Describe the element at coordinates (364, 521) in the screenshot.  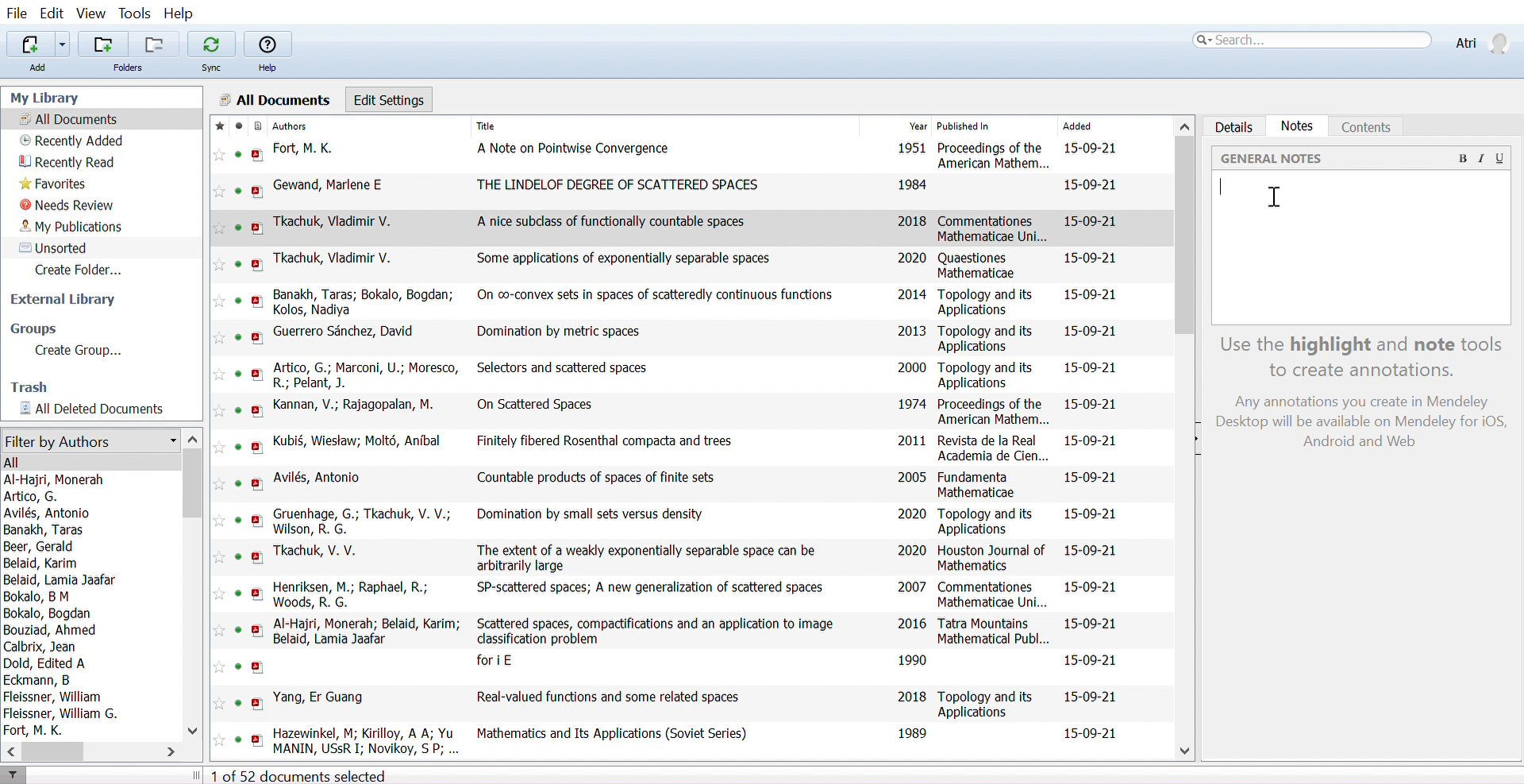
I see `Gruenhage, G.; Tkachuk, V. V.; Wilson, R. G.` at that location.